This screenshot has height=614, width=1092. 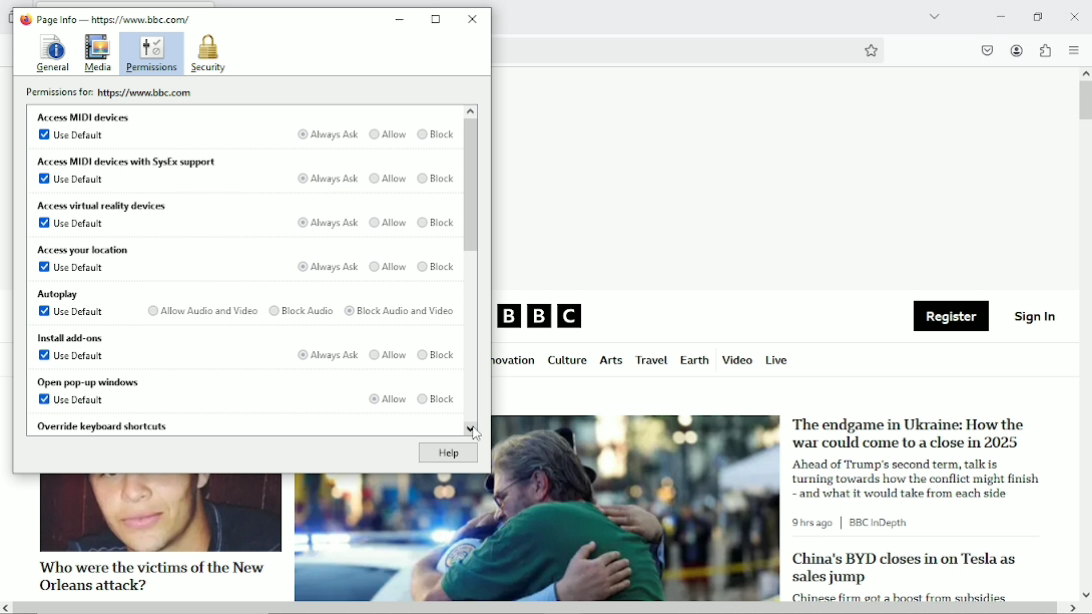 I want to click on Bookmark this page, so click(x=870, y=50).